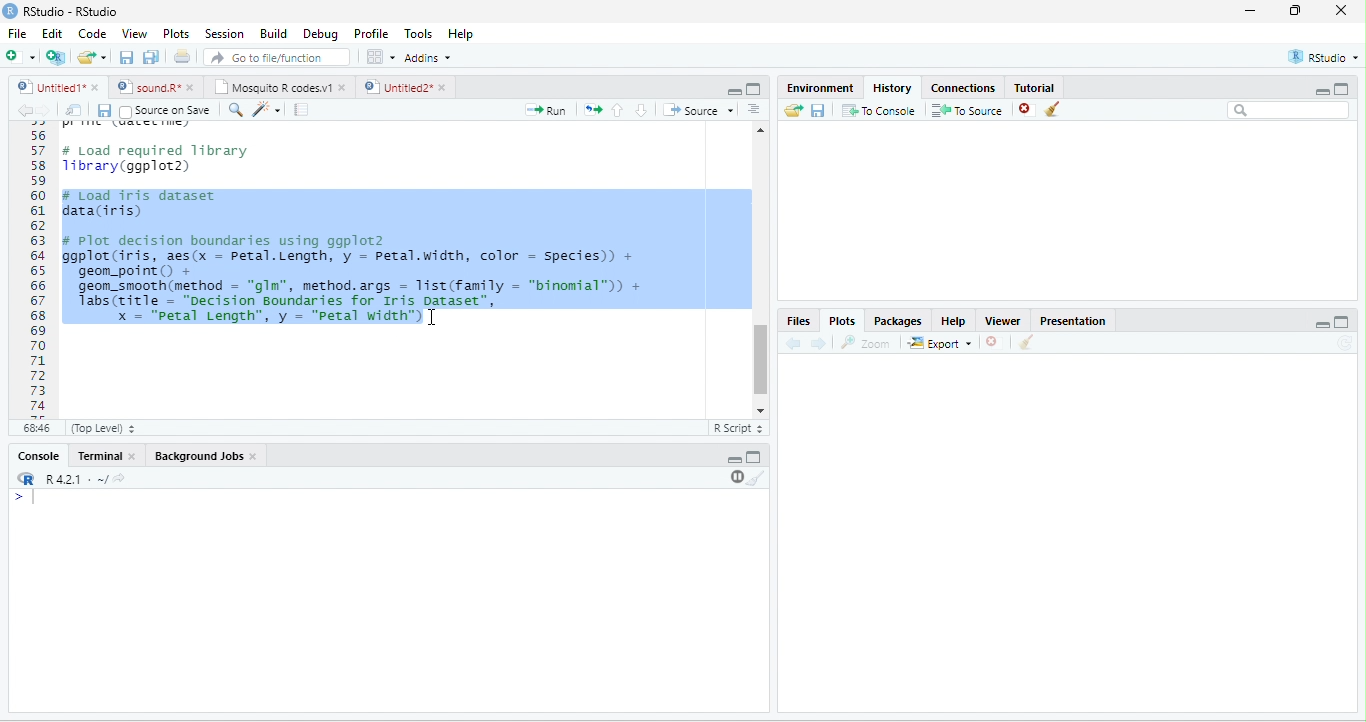 The image size is (1366, 722). Describe the element at coordinates (134, 457) in the screenshot. I see `close` at that location.